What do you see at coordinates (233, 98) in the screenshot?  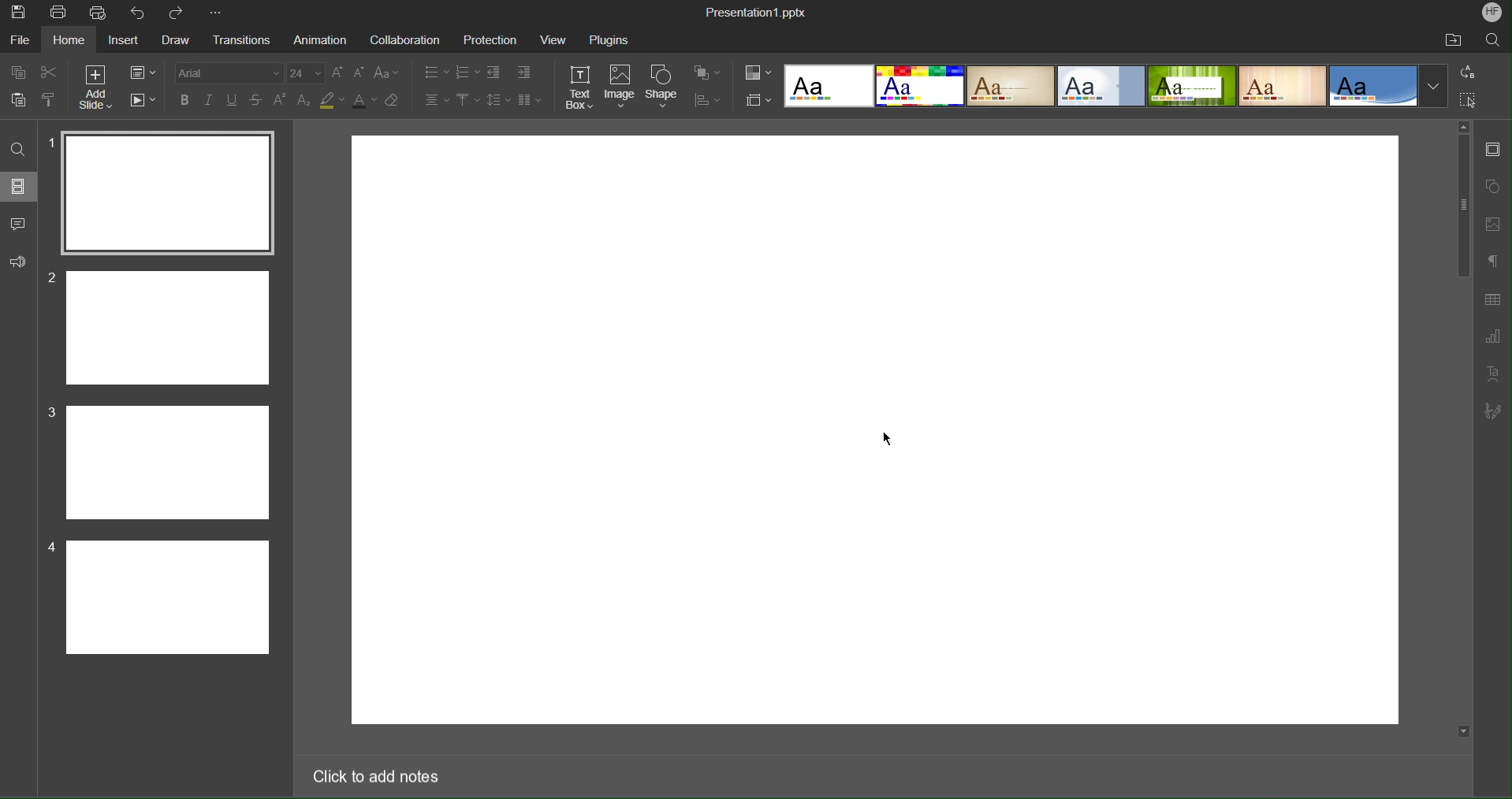 I see `underline` at bounding box center [233, 98].